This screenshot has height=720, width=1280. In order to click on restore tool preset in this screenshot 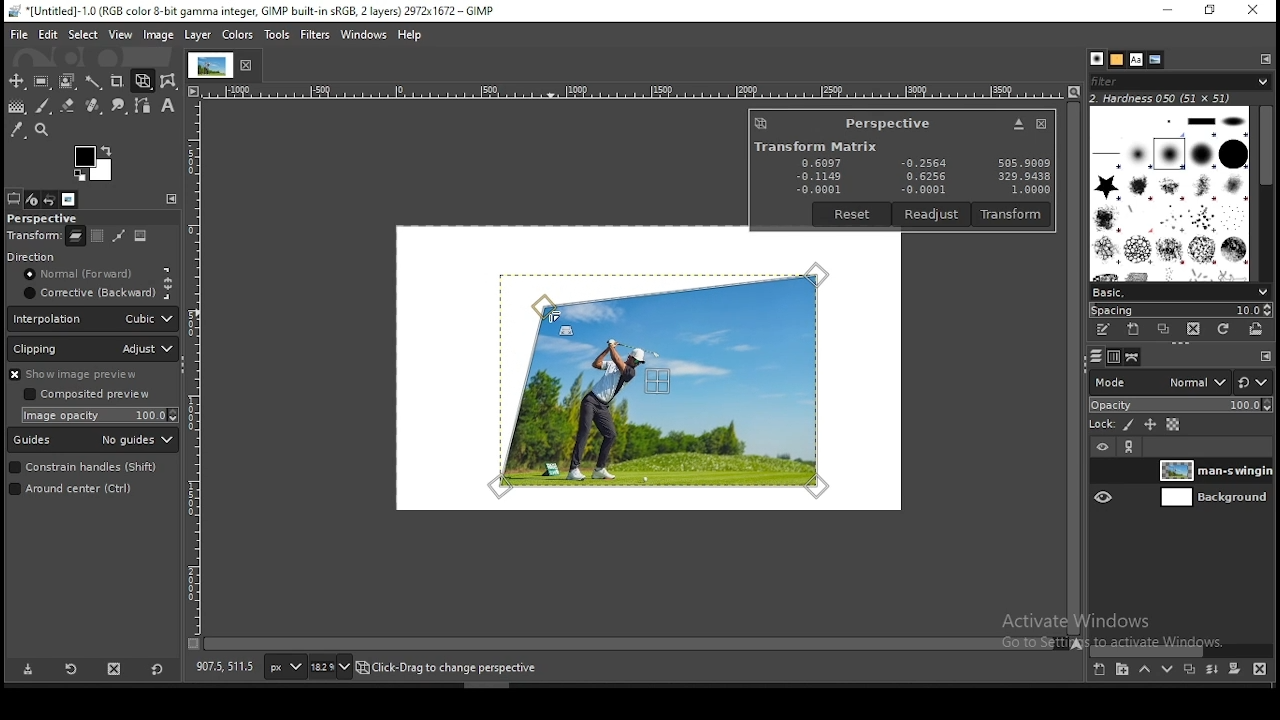, I will do `click(70, 669)`.